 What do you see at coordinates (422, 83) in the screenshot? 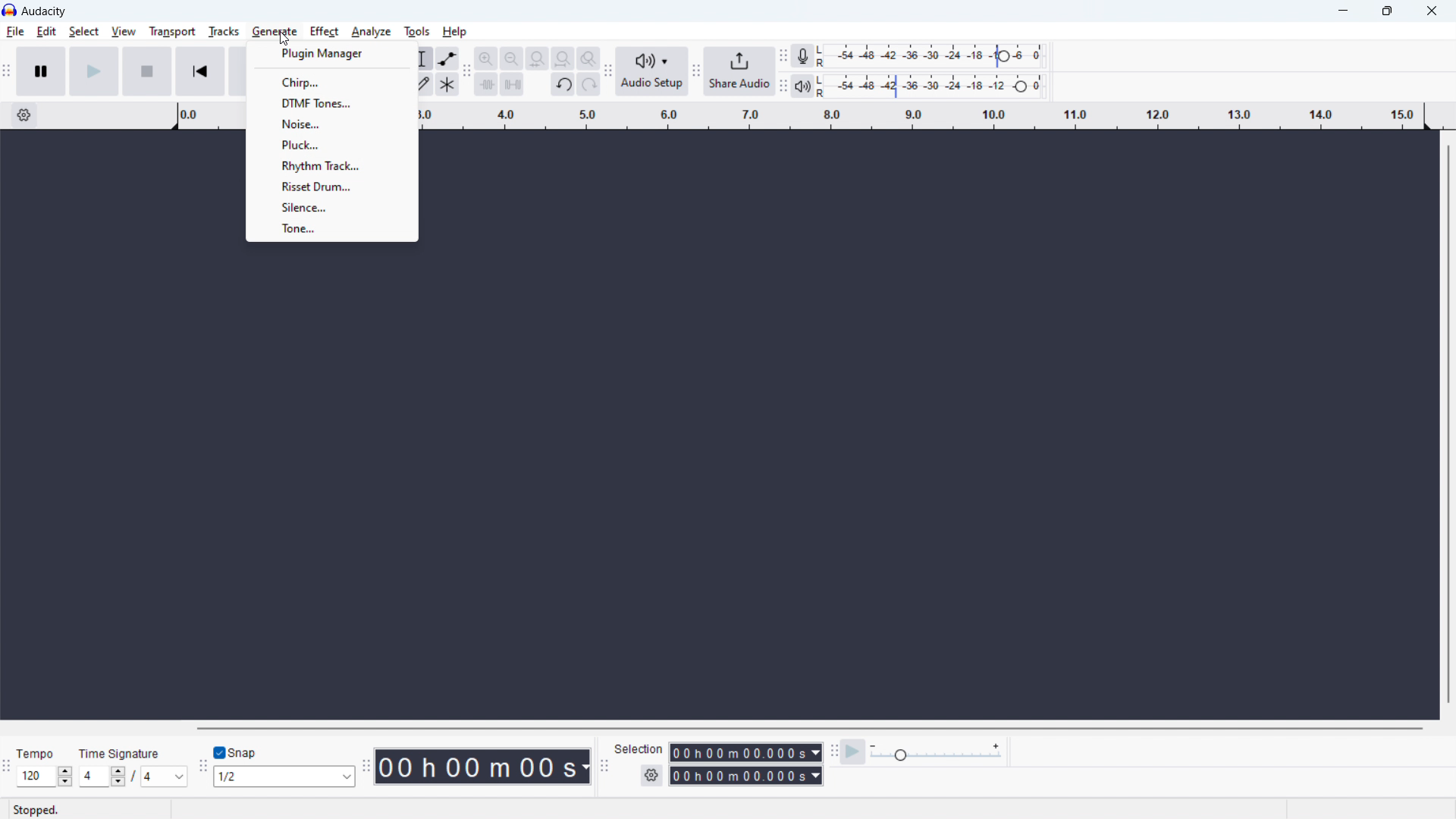
I see `draw tool` at bounding box center [422, 83].